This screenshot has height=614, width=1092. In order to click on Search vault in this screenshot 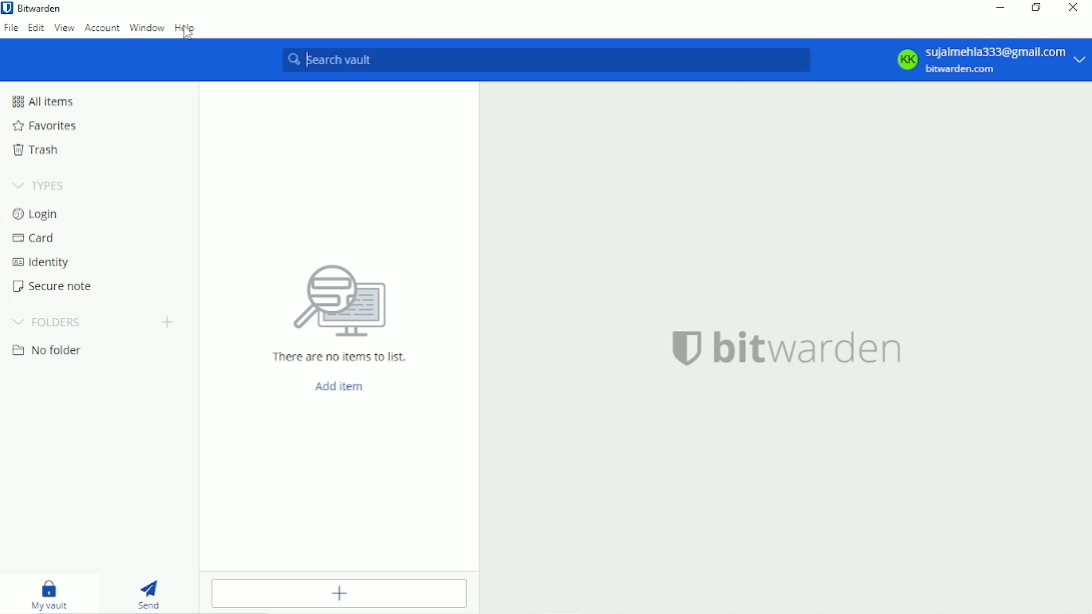, I will do `click(545, 59)`.